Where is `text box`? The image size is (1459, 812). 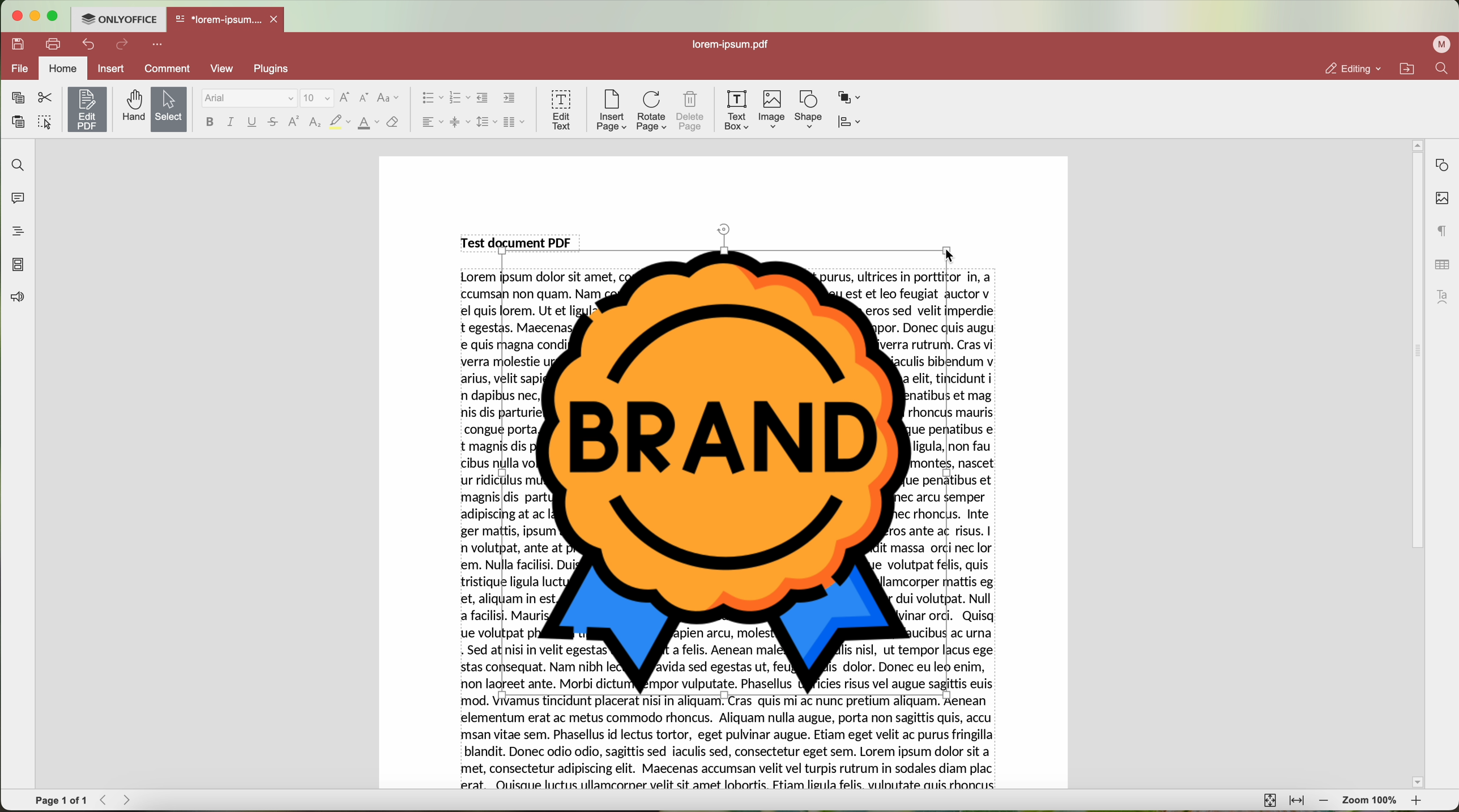 text box is located at coordinates (737, 110).